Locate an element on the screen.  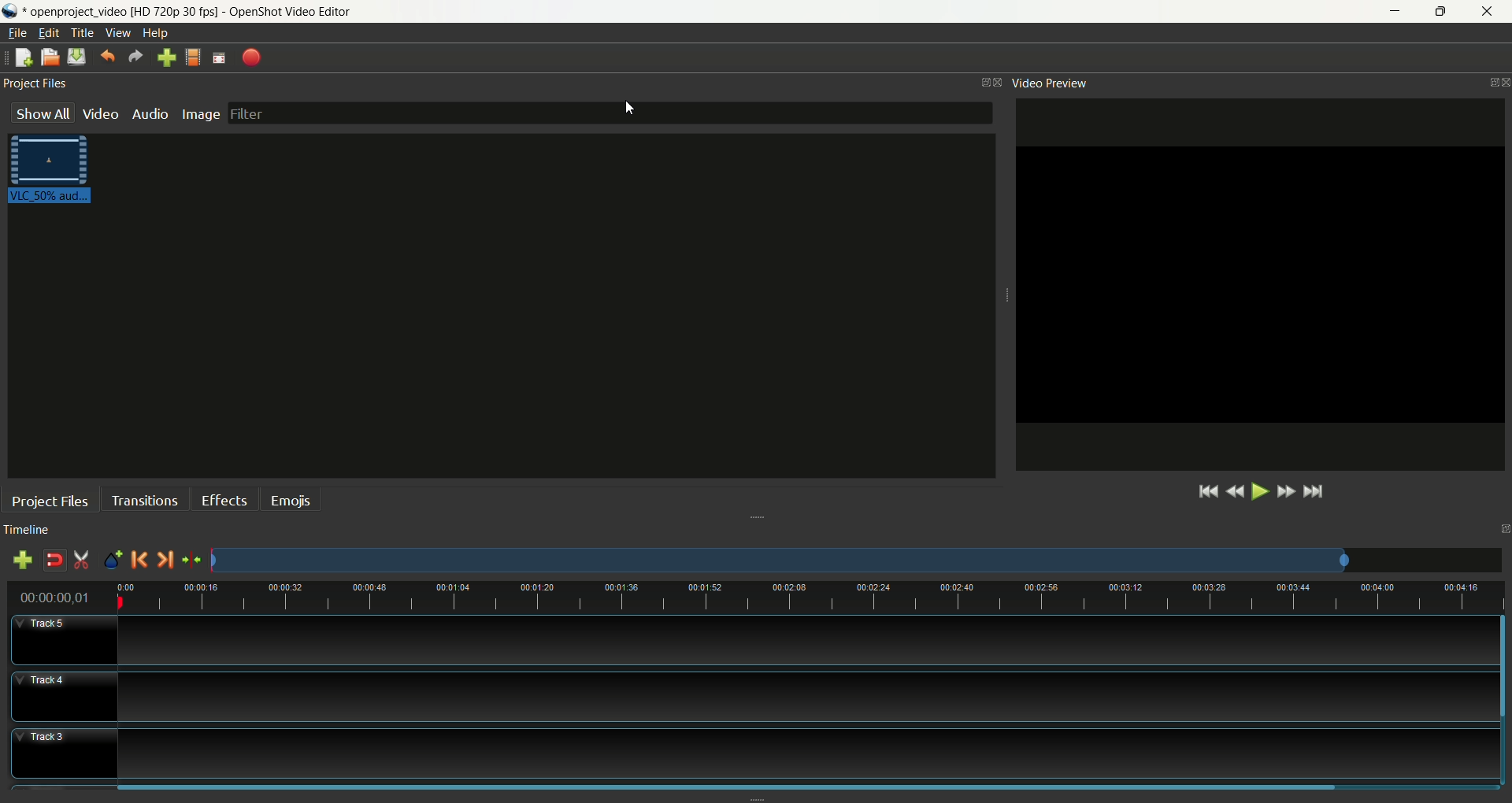
jump to start is located at coordinates (1206, 491).